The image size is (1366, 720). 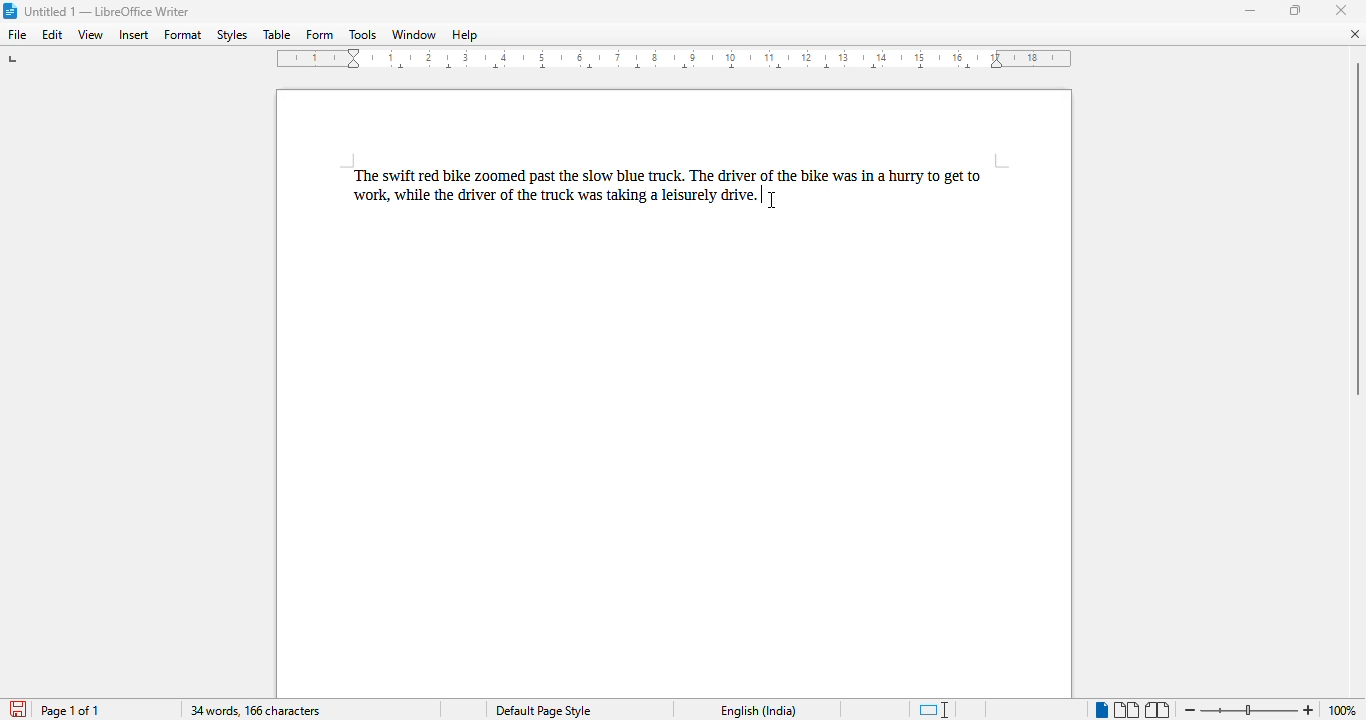 I want to click on The swift red bike zoomed past the slow blue truck. The driver of the bike was in a hurry to get to work, while the driver of the truck was taking a leisurely drive. , so click(x=669, y=184).